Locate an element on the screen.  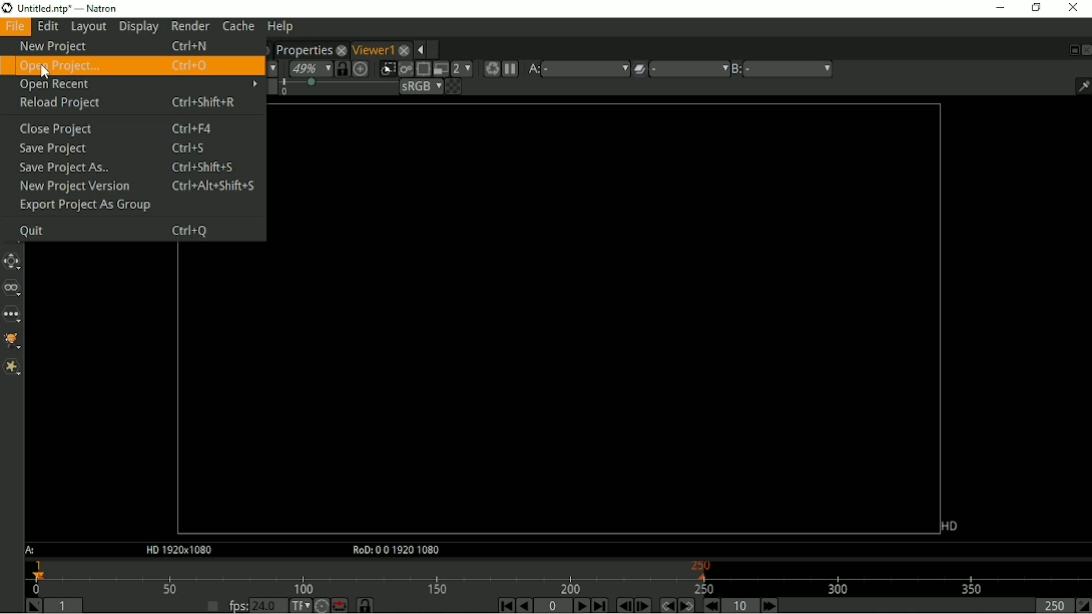
Set playback in point is located at coordinates (33, 605).